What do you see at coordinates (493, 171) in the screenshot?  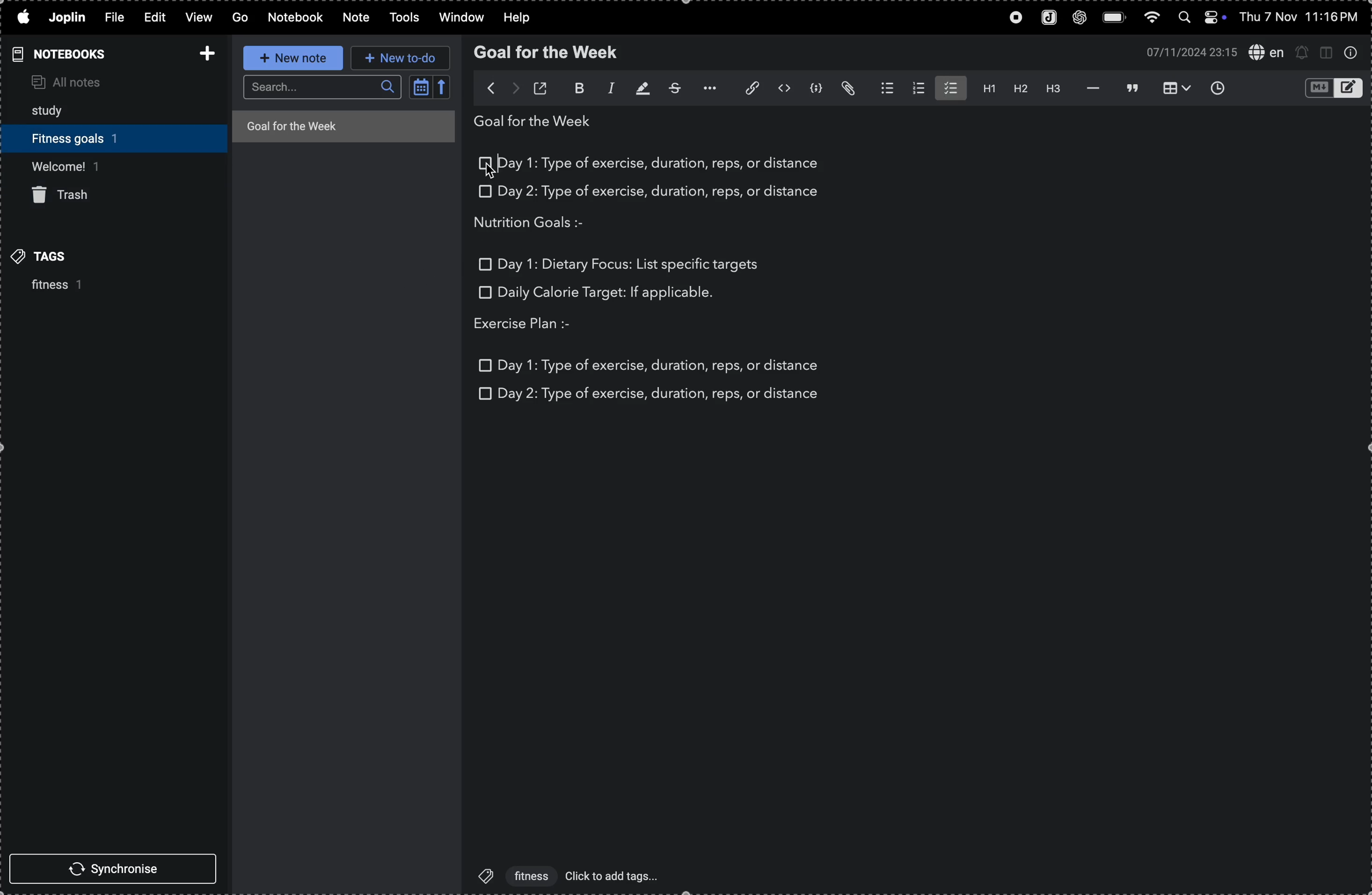 I see `cursor` at bounding box center [493, 171].